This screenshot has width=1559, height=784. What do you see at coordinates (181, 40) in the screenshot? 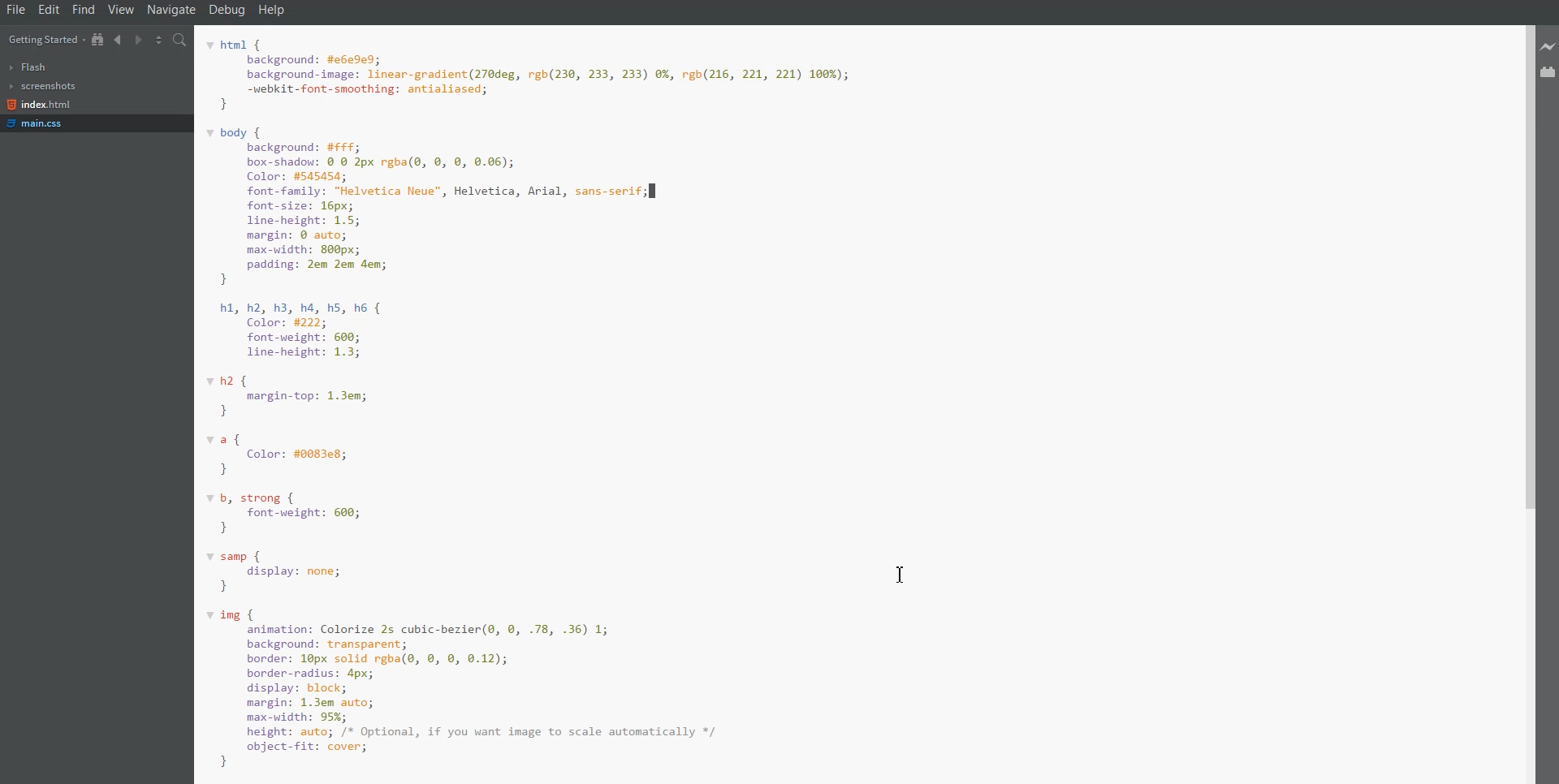
I see `find in files` at bounding box center [181, 40].